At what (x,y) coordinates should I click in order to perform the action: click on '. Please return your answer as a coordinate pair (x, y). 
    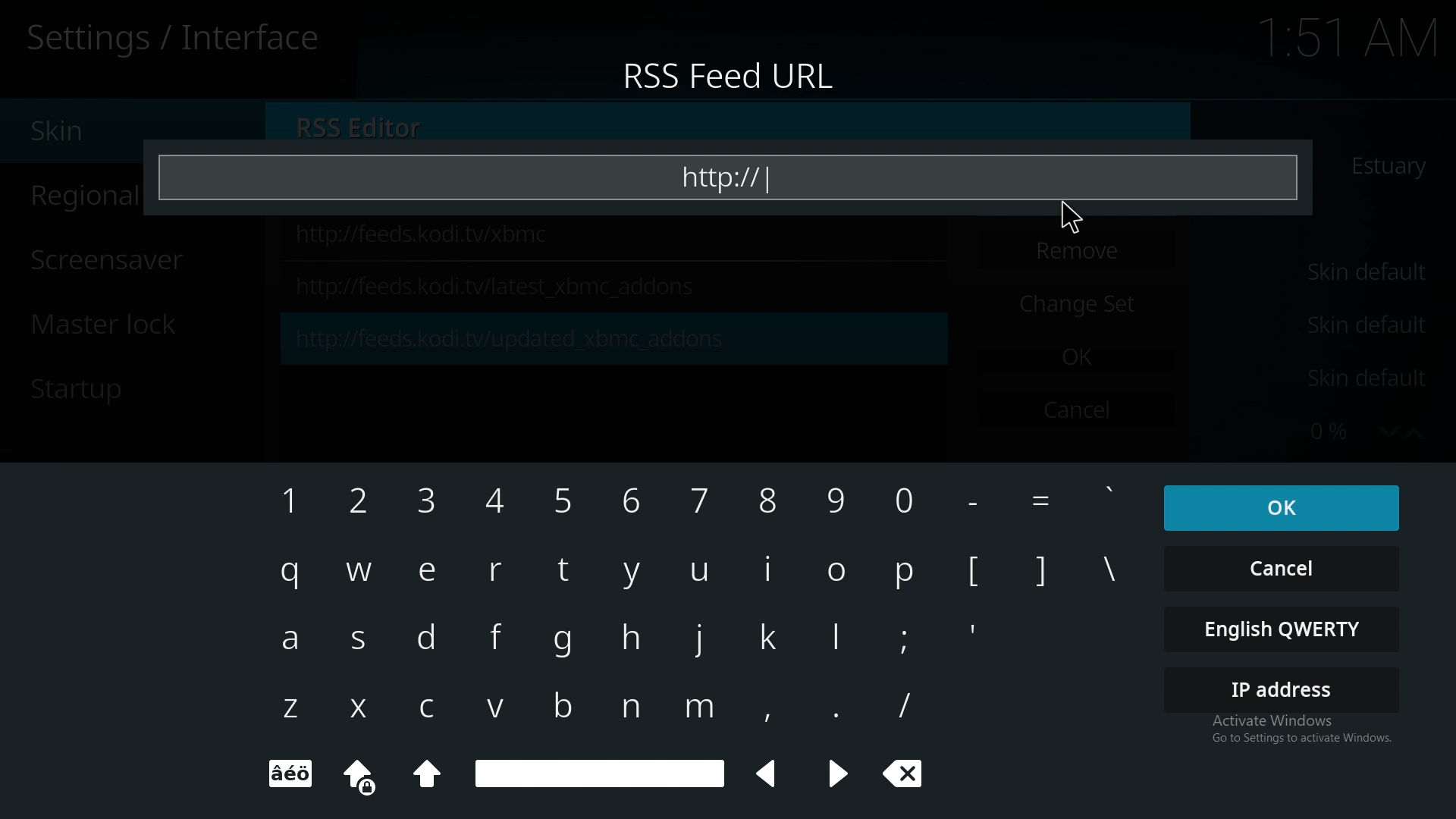
    Looking at the image, I should click on (975, 633).